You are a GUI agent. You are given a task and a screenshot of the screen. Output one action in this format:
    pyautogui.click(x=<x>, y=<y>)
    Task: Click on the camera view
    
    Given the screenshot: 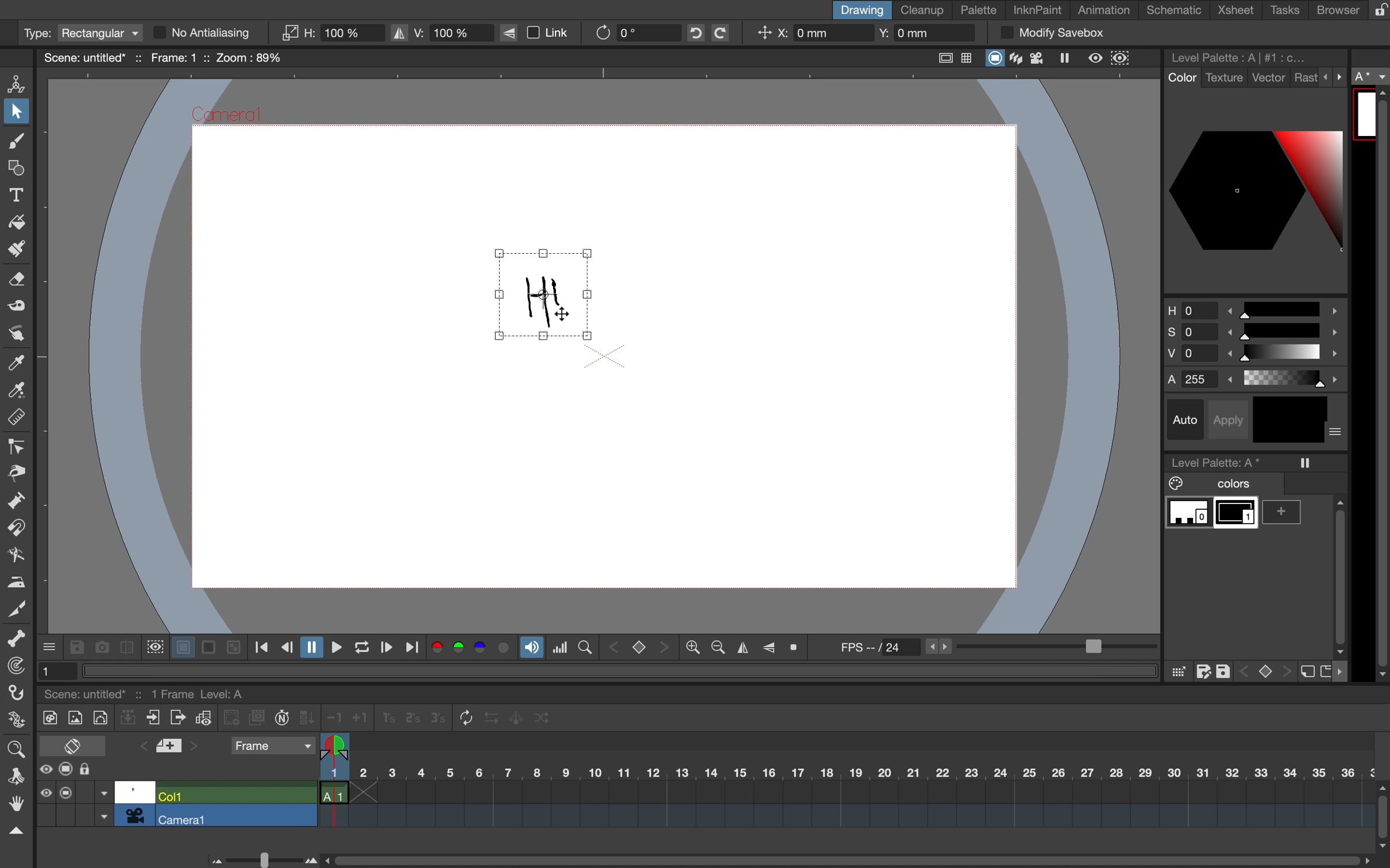 What is the action you would take?
    pyautogui.click(x=1039, y=58)
    